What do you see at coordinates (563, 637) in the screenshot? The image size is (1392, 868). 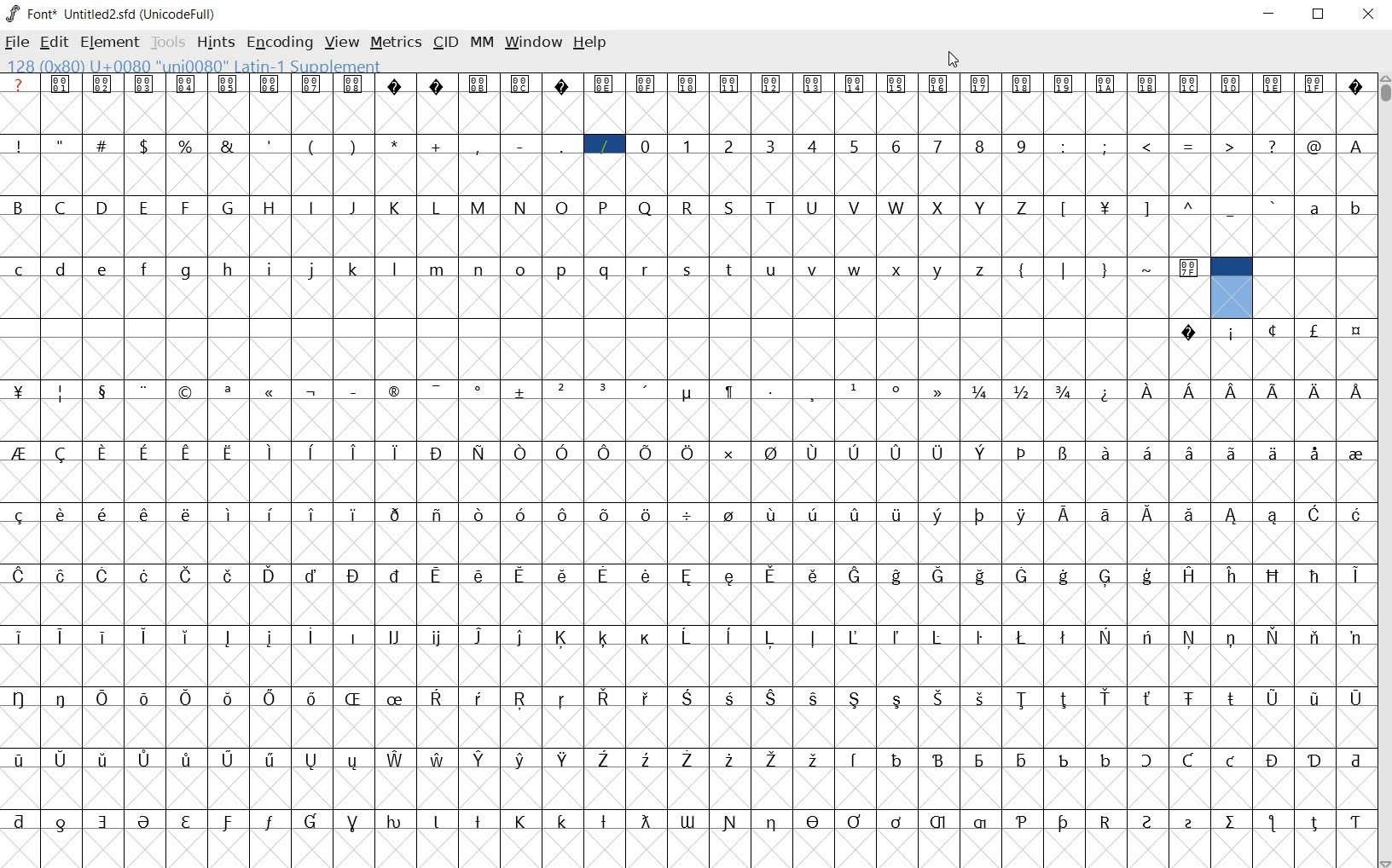 I see `Symbol` at bounding box center [563, 637].